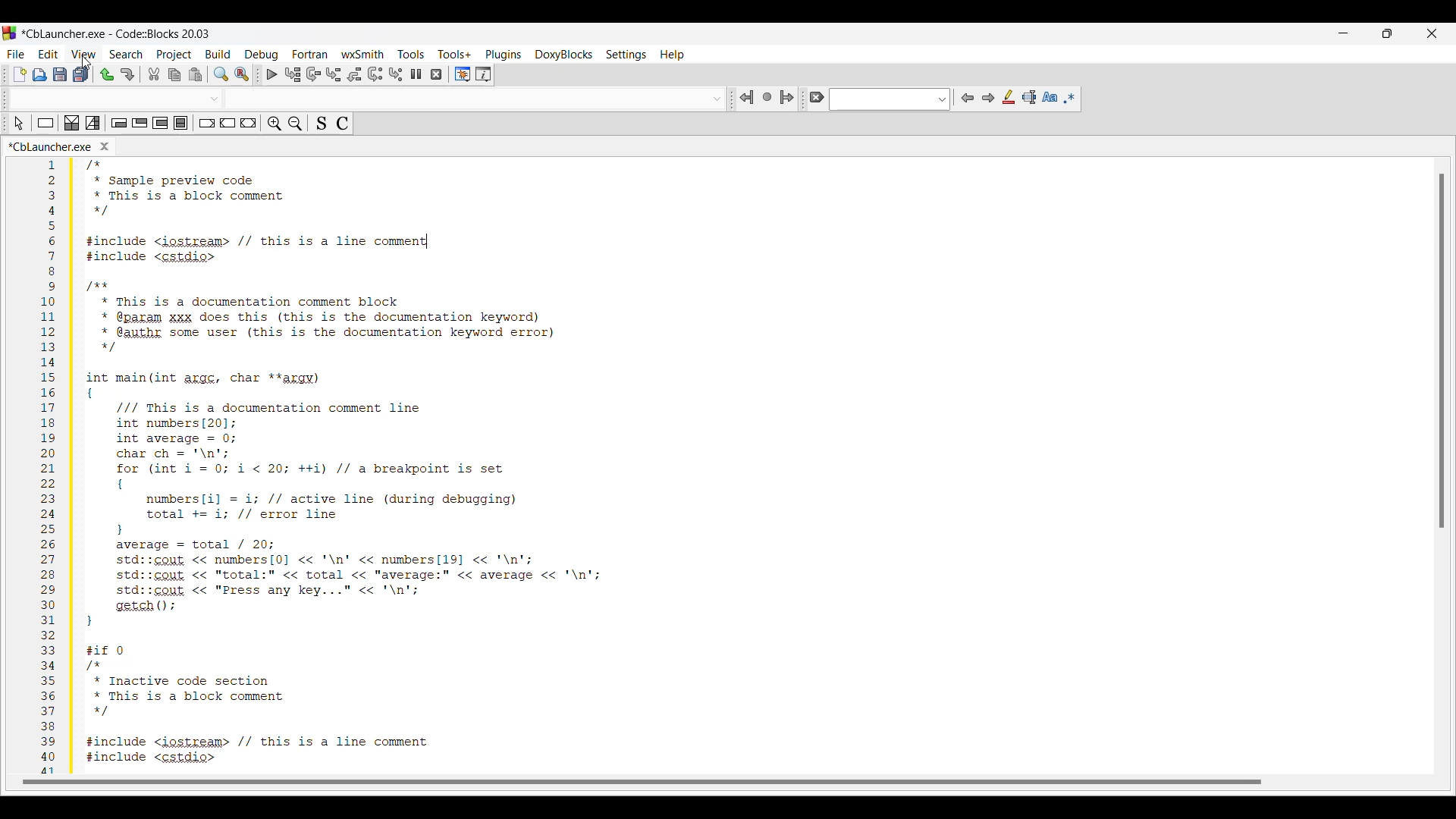 The width and height of the screenshot is (1456, 819). I want to click on Entry condition loop, so click(119, 123).